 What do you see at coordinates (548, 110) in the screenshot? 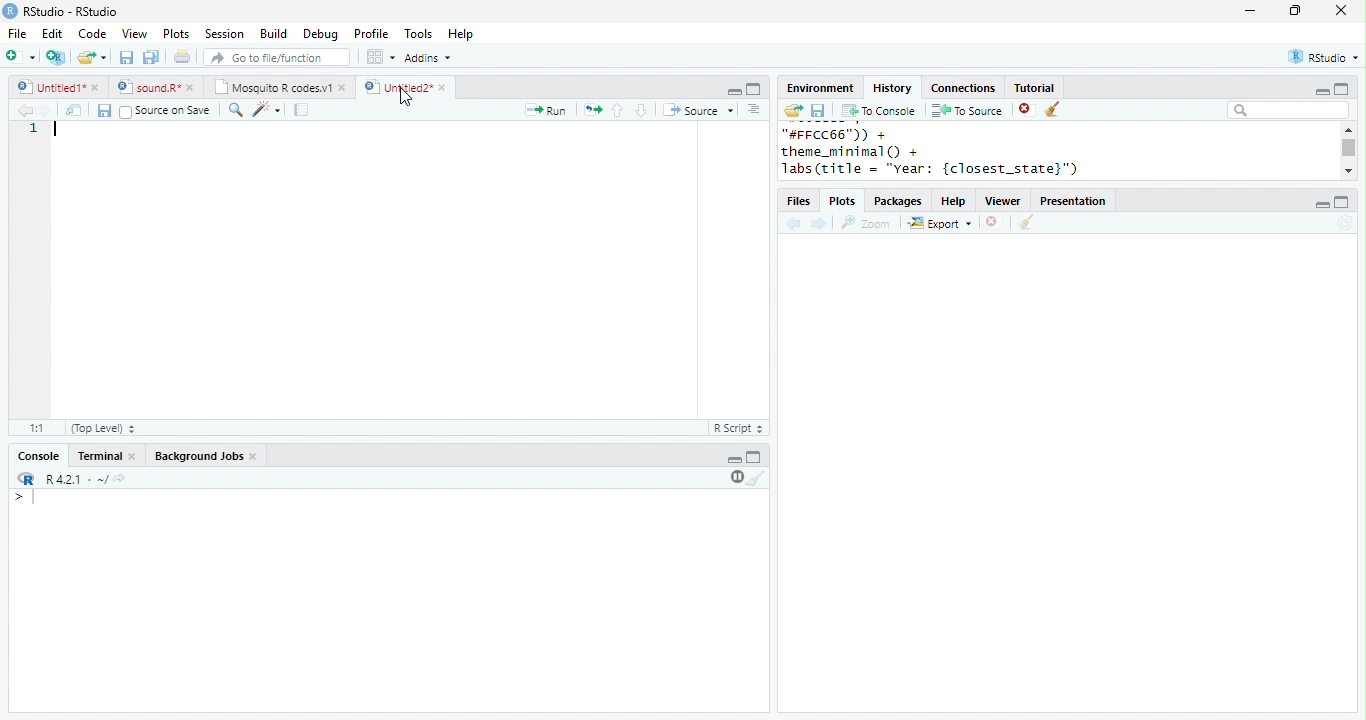
I see `Run` at bounding box center [548, 110].